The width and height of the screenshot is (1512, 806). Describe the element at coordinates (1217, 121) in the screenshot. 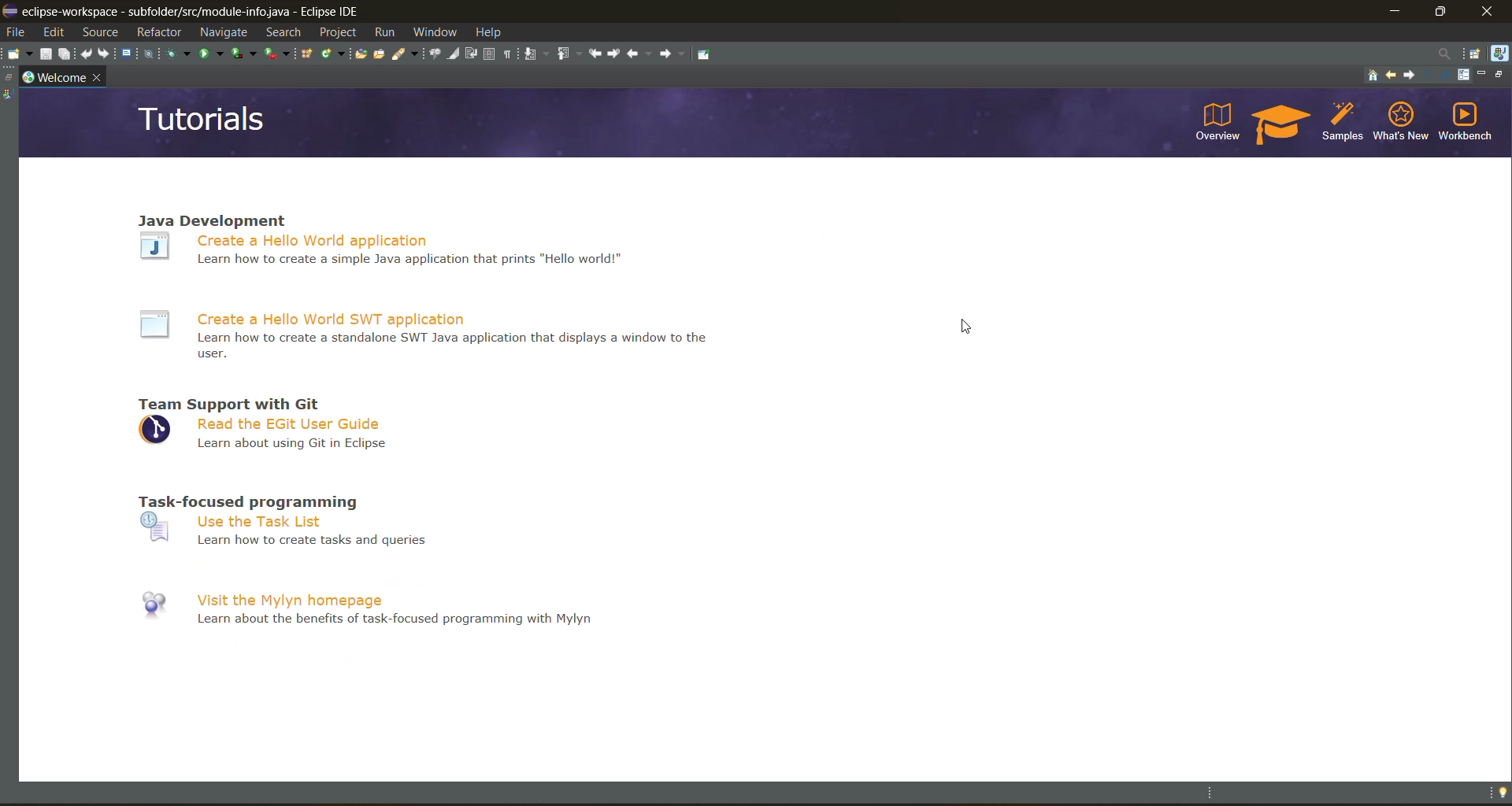

I see `overview` at that location.